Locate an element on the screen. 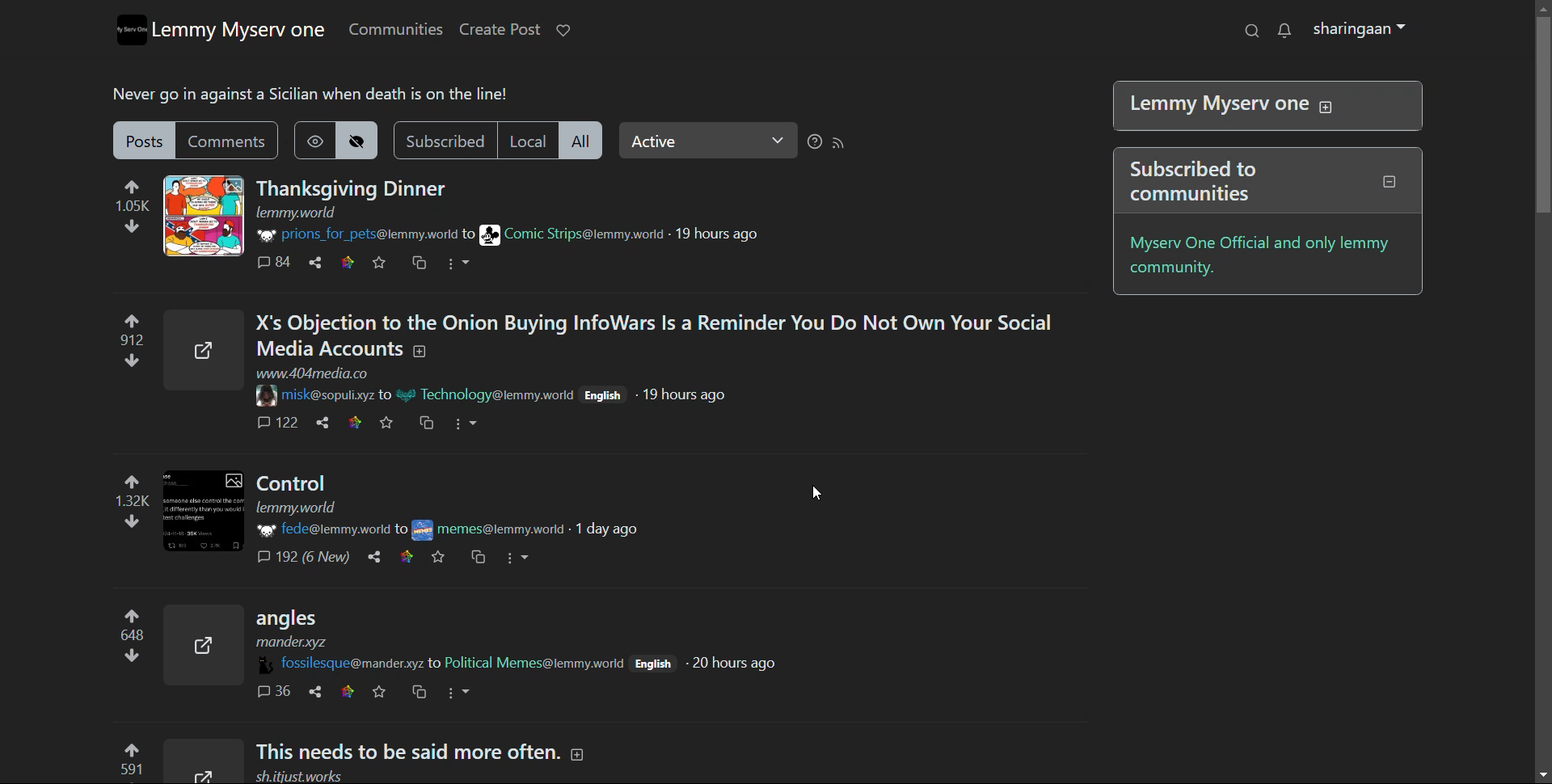 The image size is (1552, 784). Scroll bar is located at coordinates (1537, 118).